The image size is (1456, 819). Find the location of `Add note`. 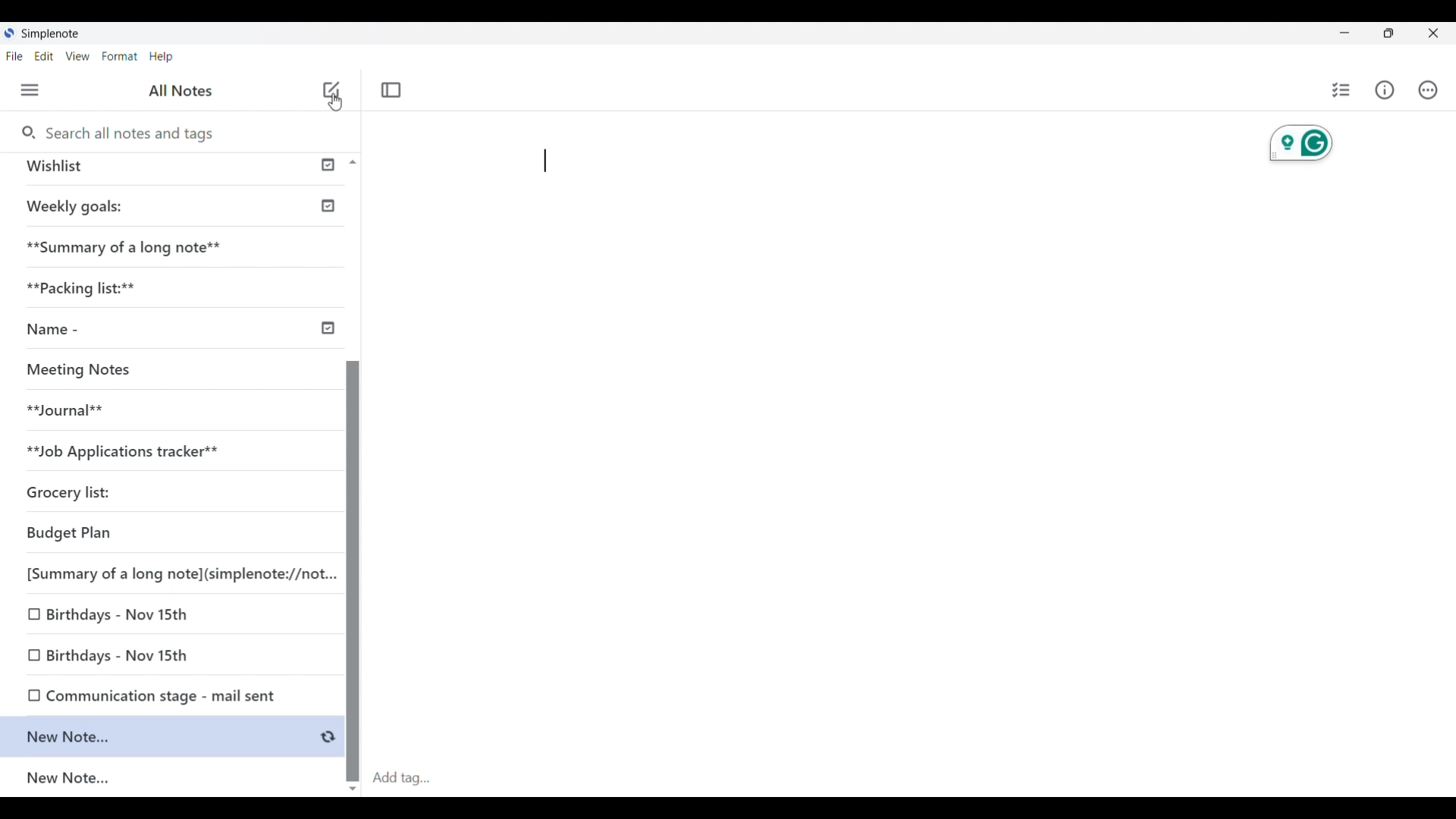

Add note is located at coordinates (331, 89).